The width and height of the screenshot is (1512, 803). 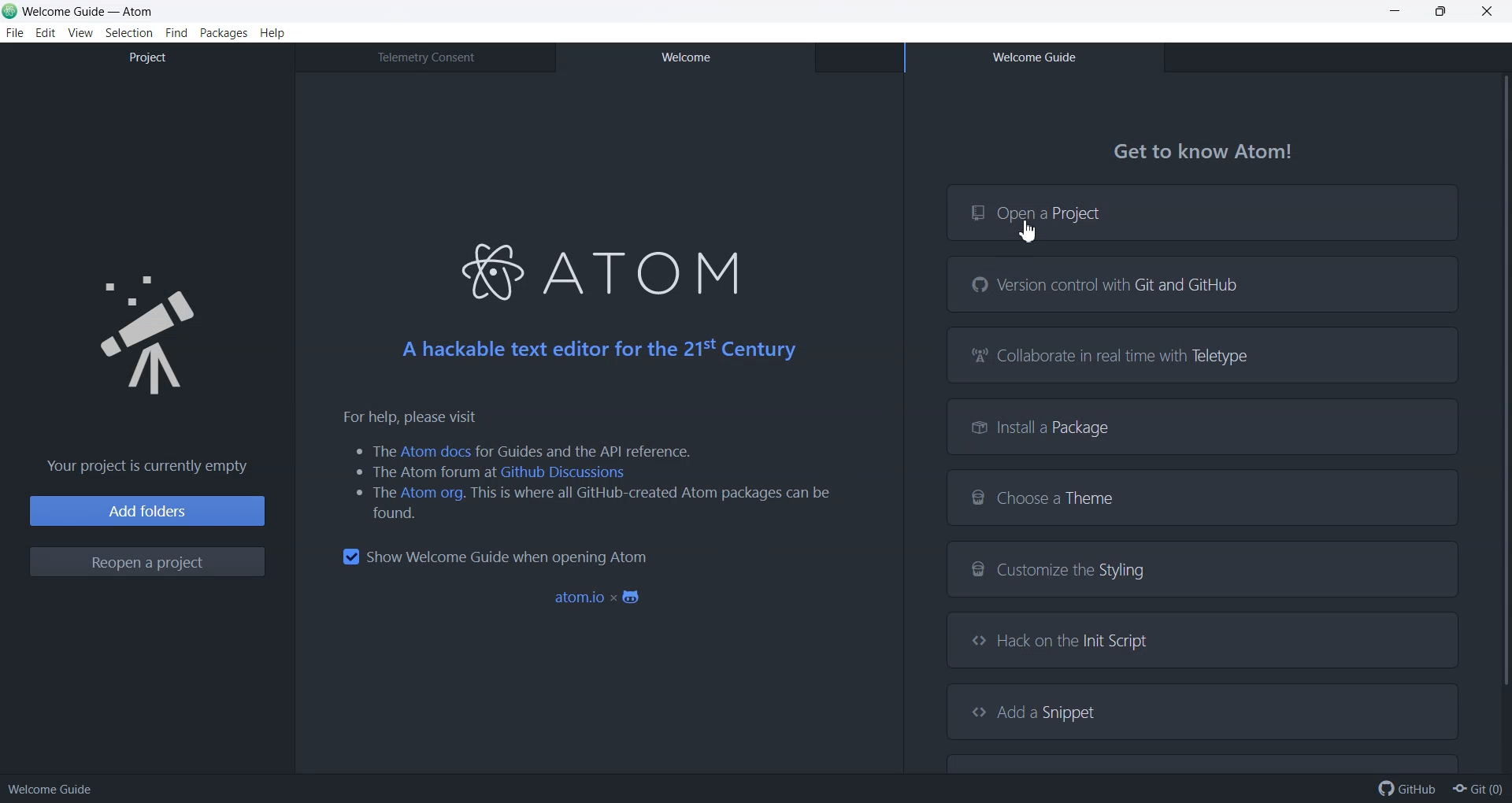 What do you see at coordinates (1205, 152) in the screenshot?
I see `Get to know Atom!` at bounding box center [1205, 152].